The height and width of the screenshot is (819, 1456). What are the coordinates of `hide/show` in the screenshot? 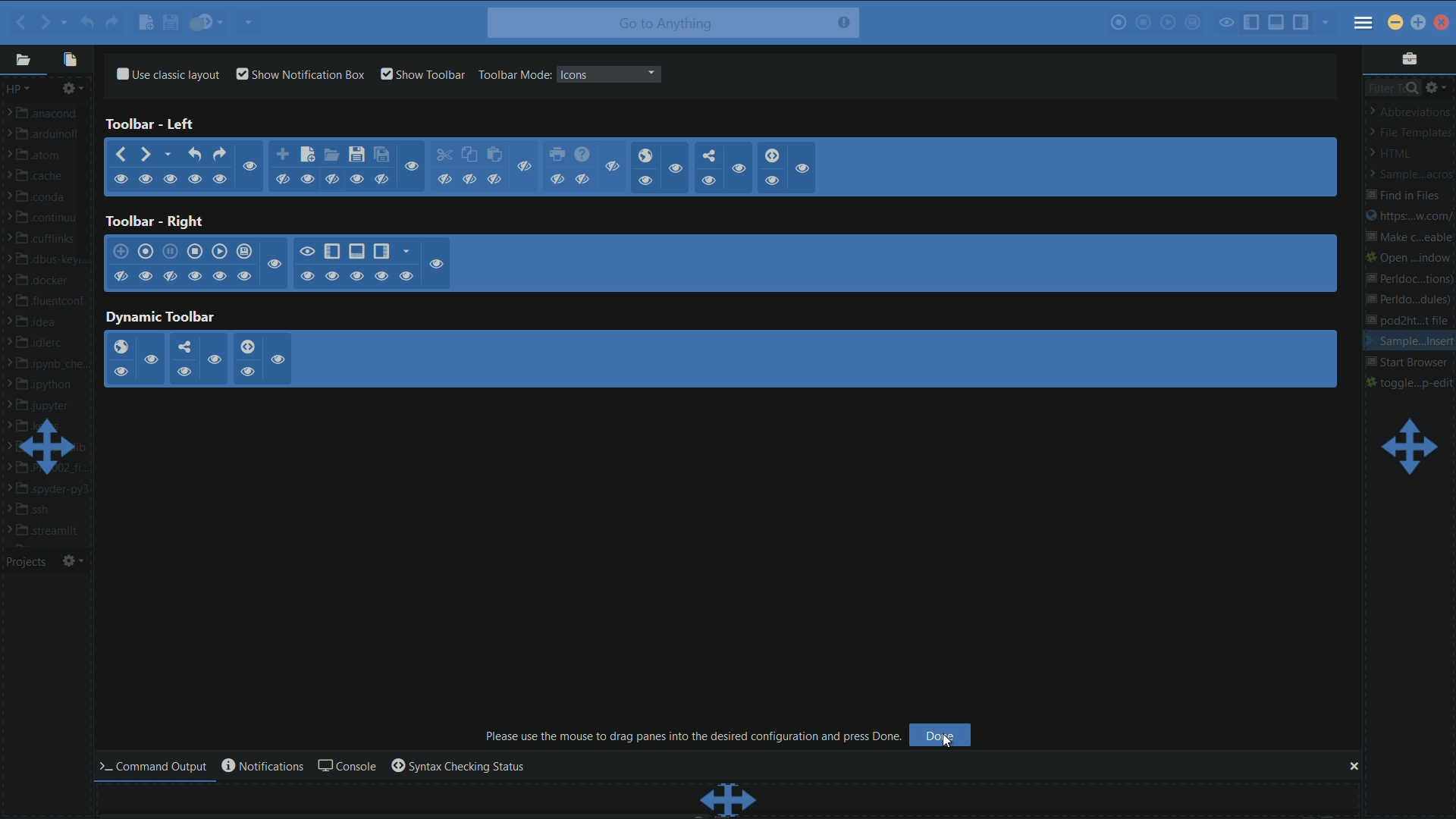 It's located at (145, 276).